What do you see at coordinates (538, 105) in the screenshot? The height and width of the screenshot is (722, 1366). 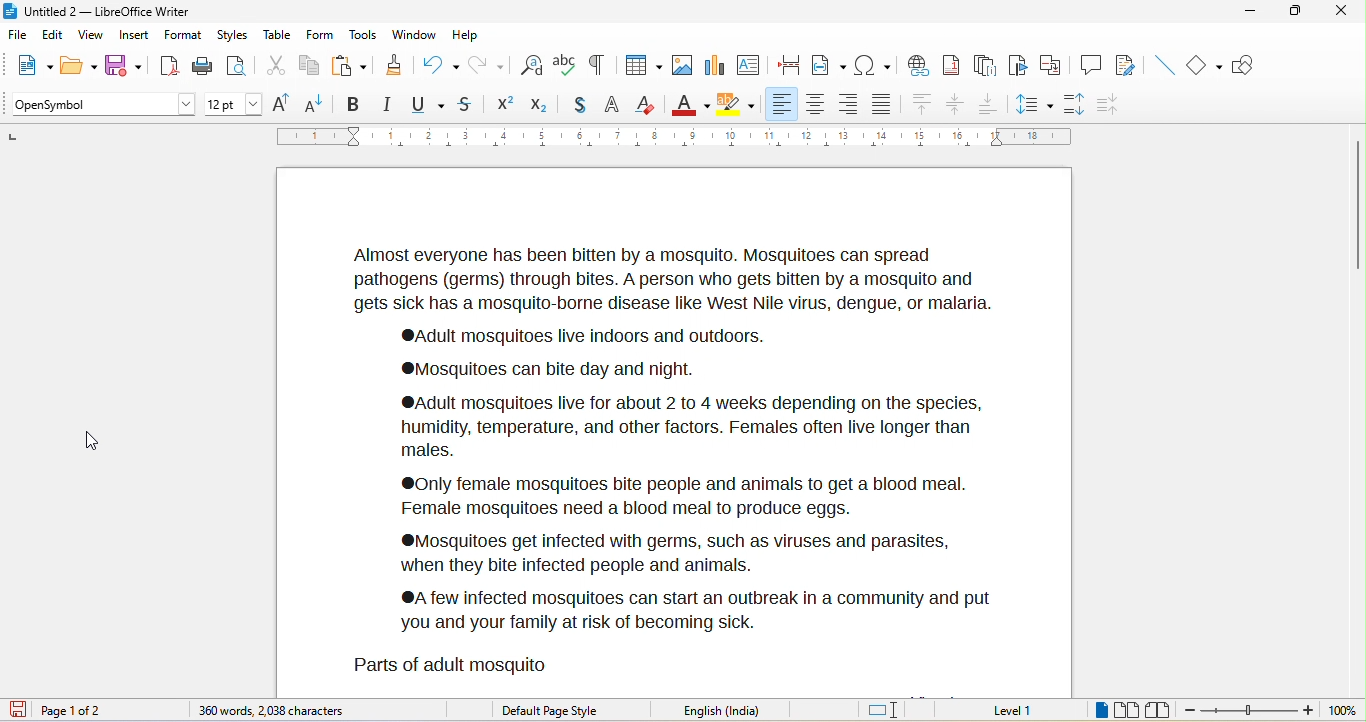 I see `subscript` at bounding box center [538, 105].